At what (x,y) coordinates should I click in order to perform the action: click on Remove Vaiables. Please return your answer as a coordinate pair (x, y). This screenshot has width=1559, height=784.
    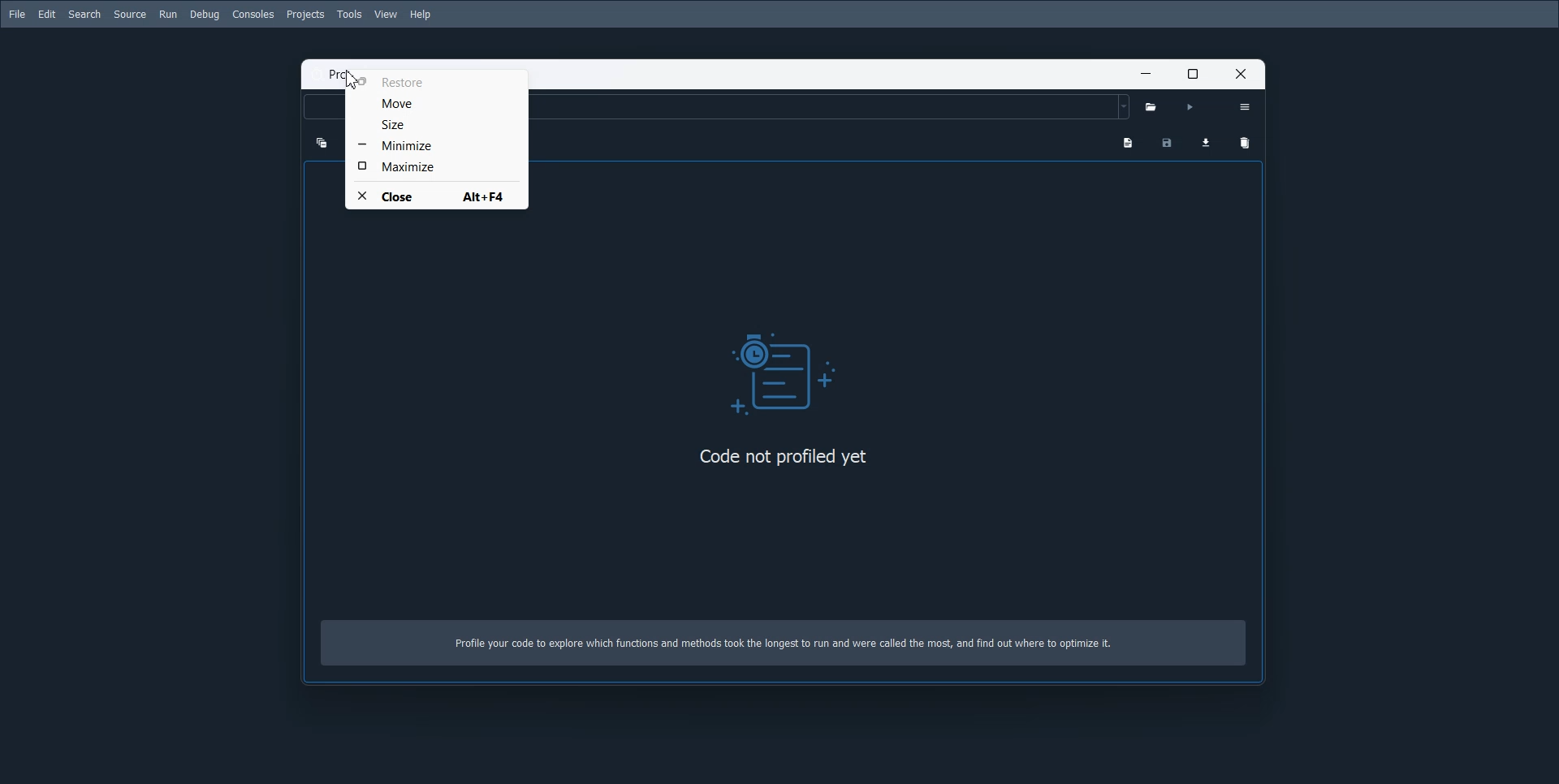
    Looking at the image, I should click on (1245, 144).